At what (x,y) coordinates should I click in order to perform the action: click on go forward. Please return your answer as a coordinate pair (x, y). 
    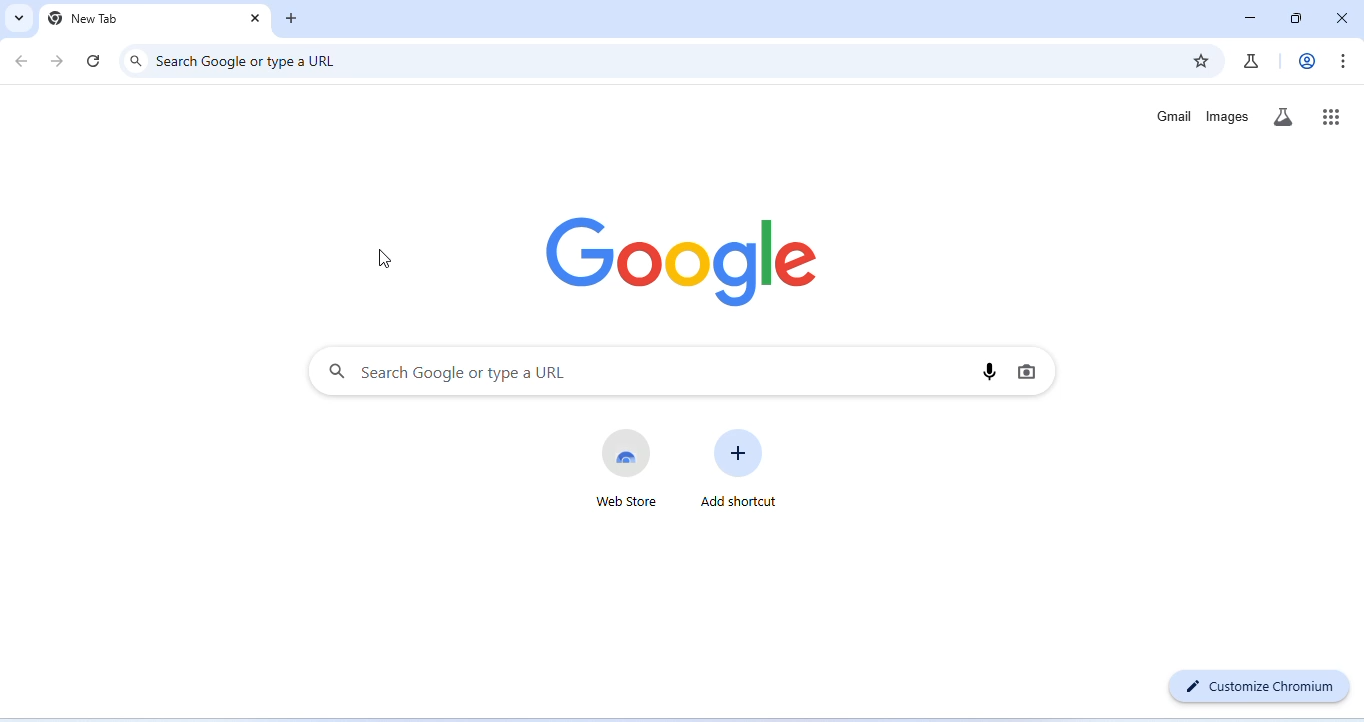
    Looking at the image, I should click on (57, 62).